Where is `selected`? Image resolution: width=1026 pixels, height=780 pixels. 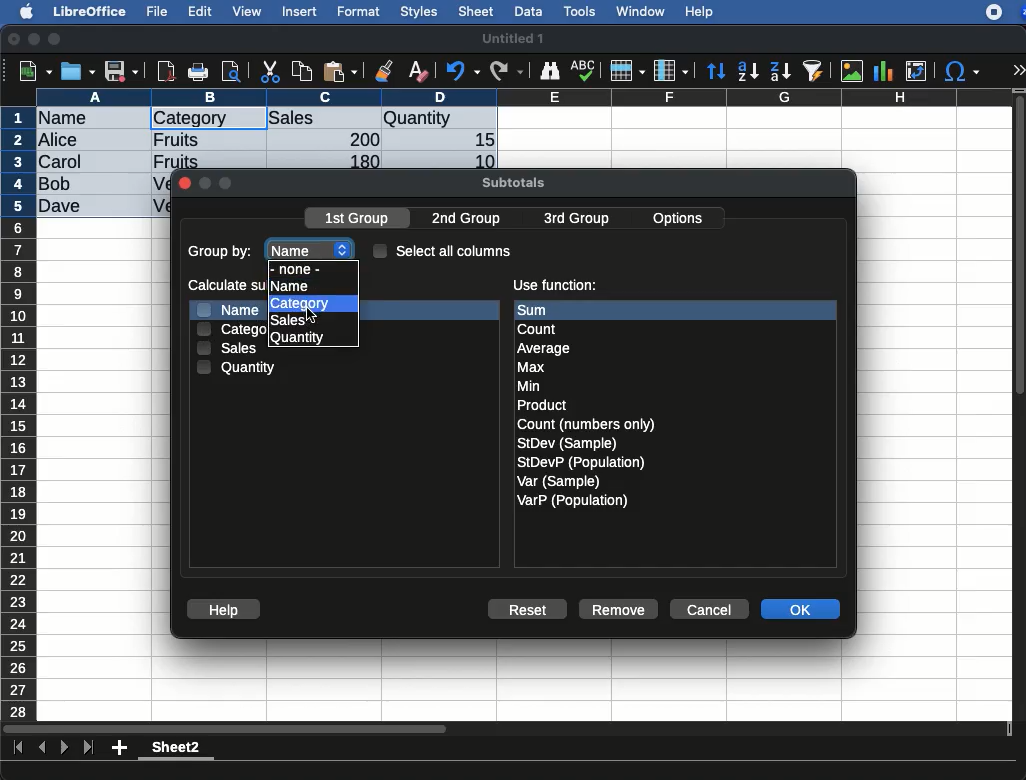
selected is located at coordinates (246, 118).